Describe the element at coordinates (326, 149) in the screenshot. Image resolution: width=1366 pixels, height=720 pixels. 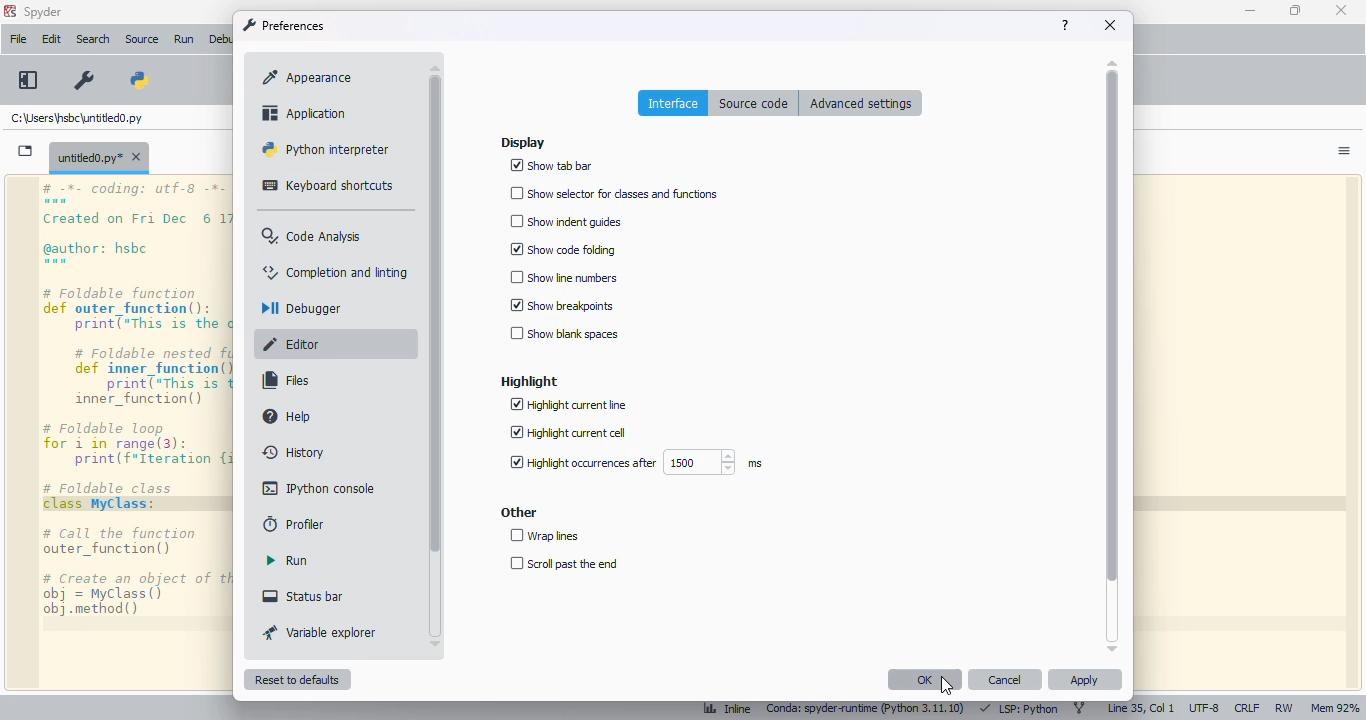
I see `python interpreter` at that location.